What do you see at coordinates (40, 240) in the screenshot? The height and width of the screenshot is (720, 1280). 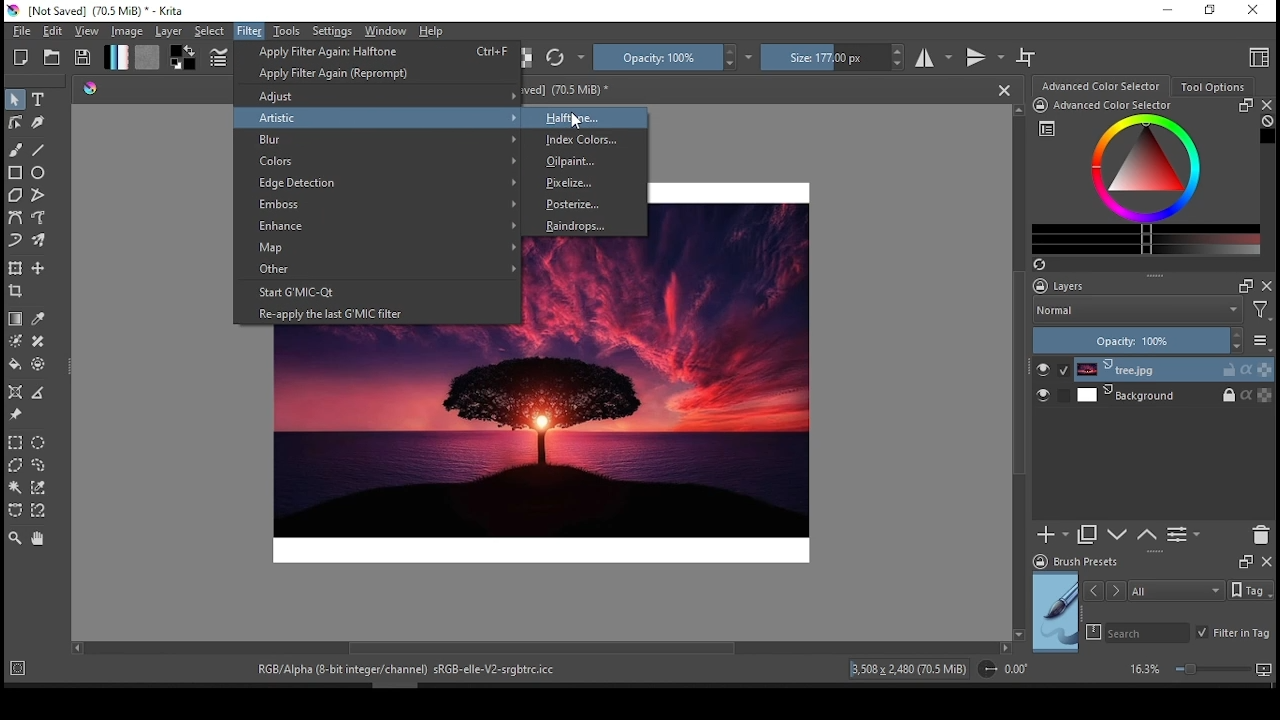 I see `multi brush tool` at bounding box center [40, 240].